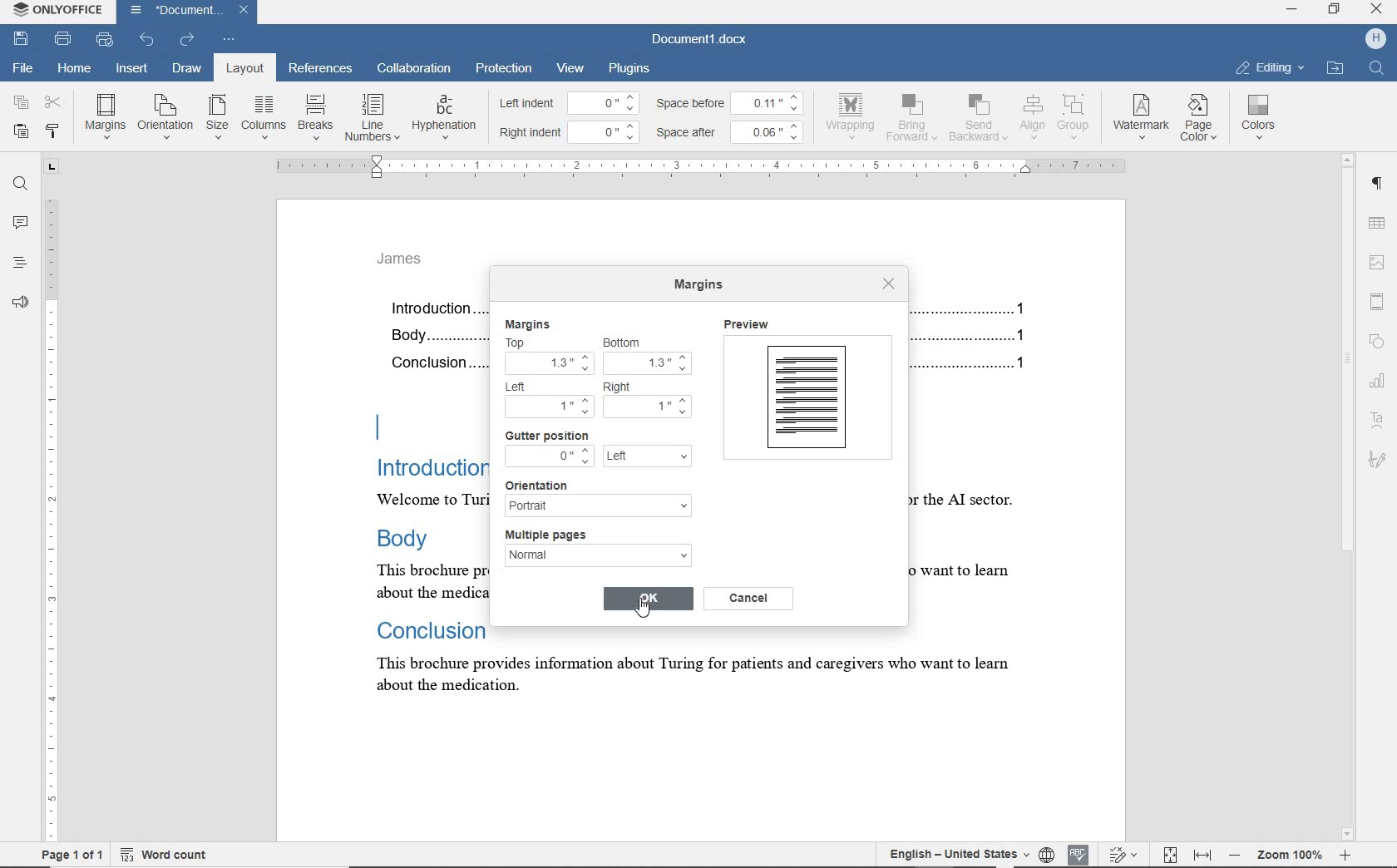 This screenshot has height=868, width=1397. I want to click on gutter position, so click(547, 436).